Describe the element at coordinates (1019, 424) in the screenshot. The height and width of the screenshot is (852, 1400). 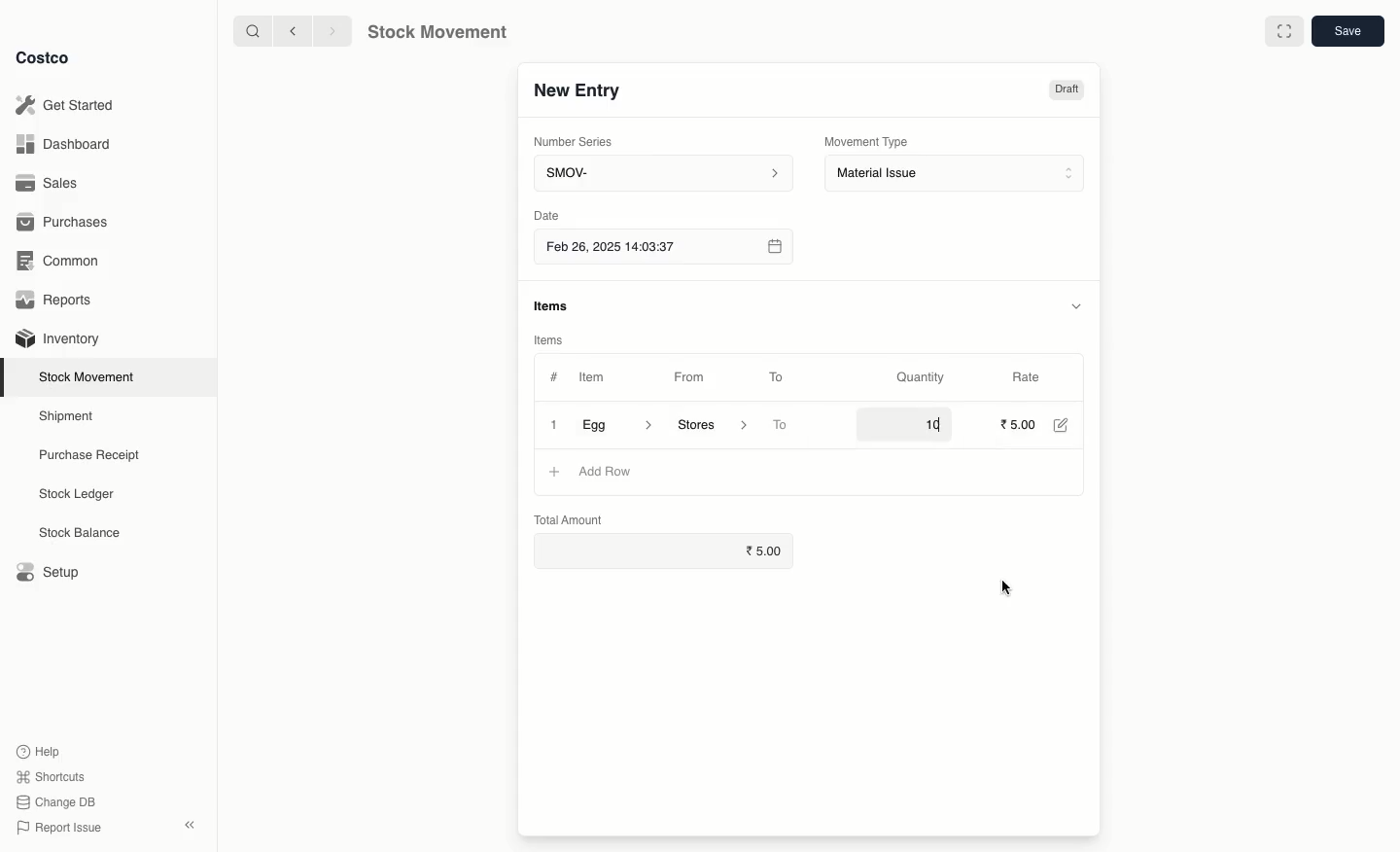
I see `5.00` at that location.